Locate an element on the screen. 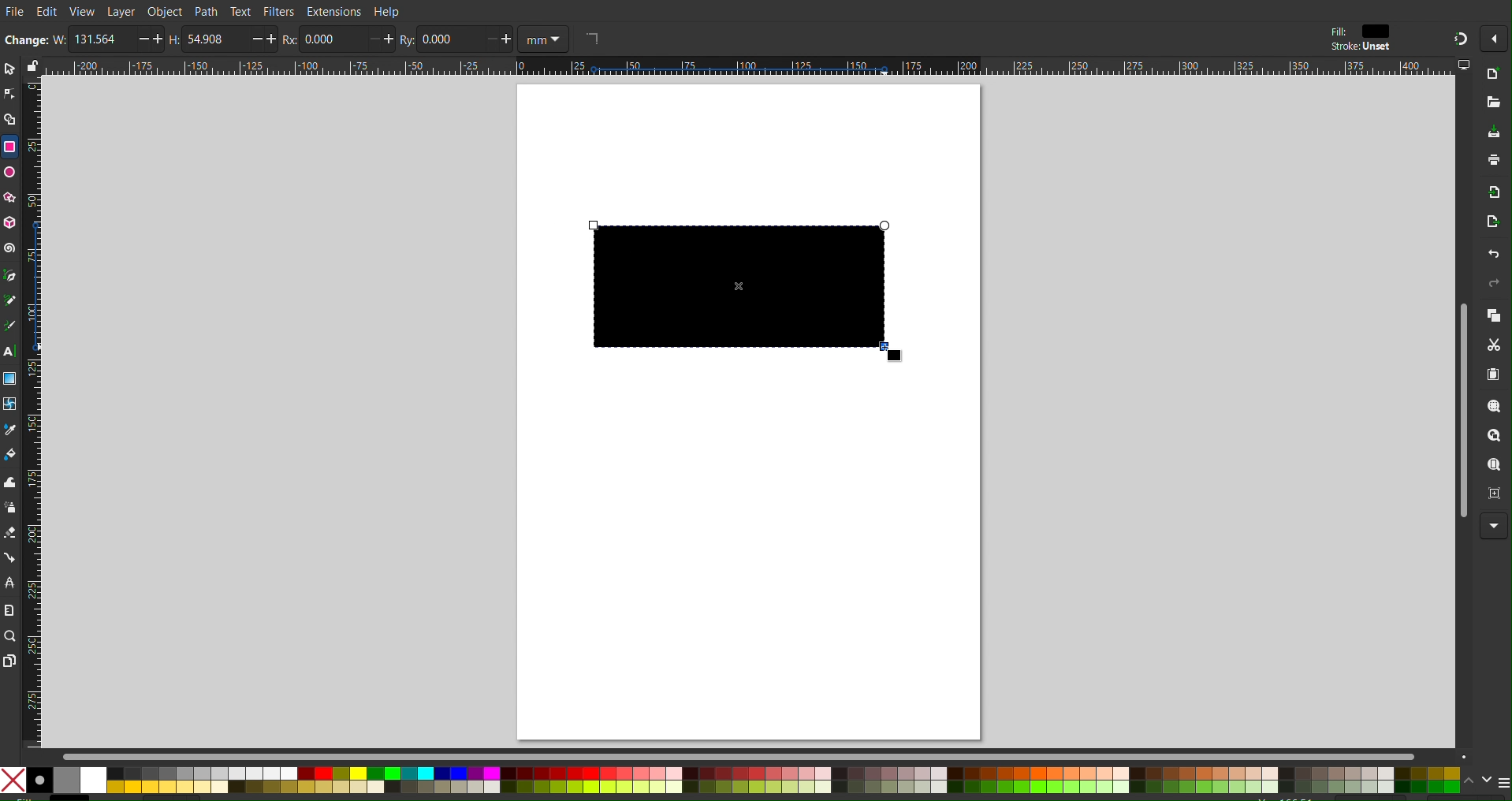 The width and height of the screenshot is (1512, 801). 0.000 is located at coordinates (449, 39).